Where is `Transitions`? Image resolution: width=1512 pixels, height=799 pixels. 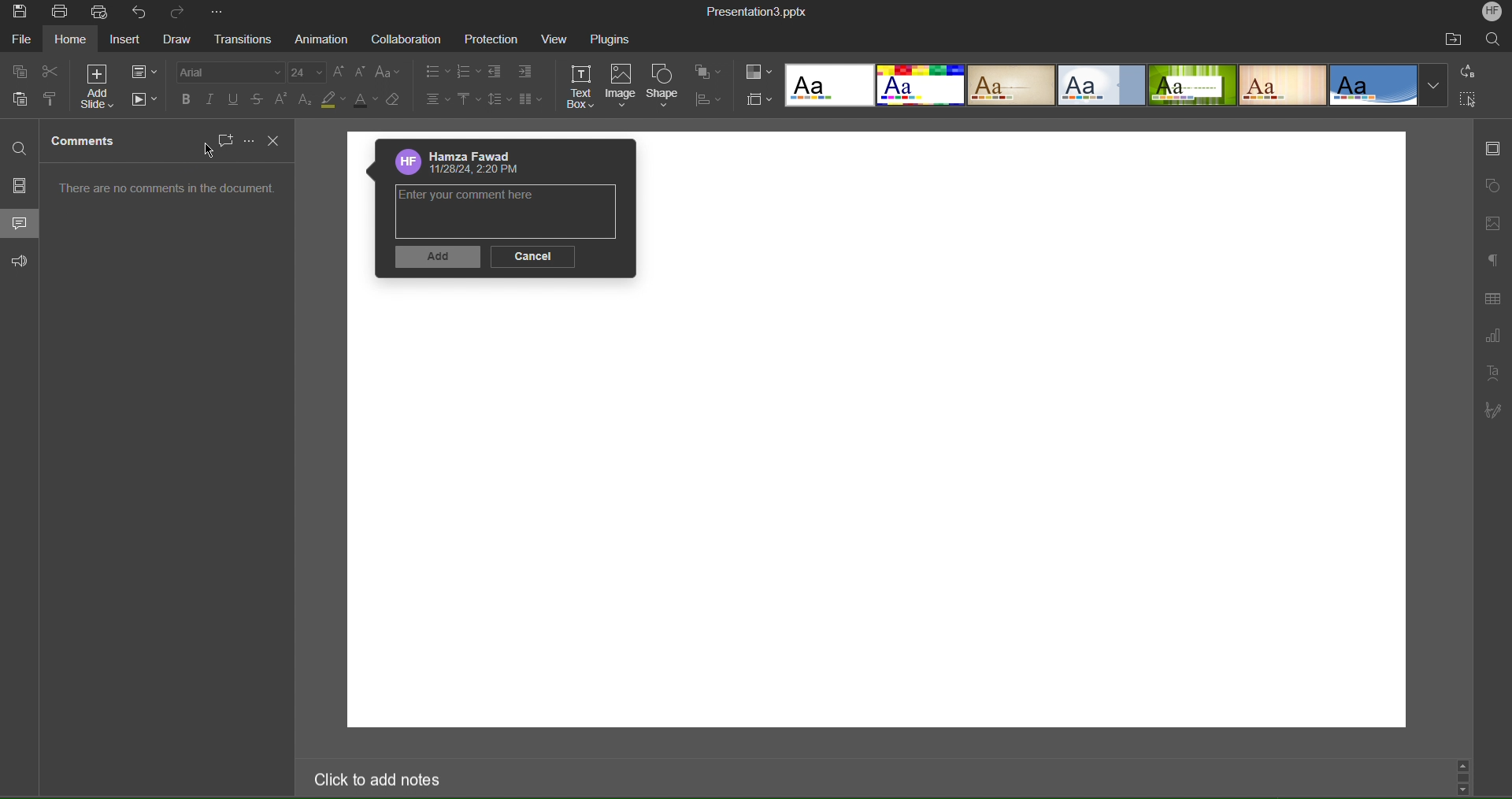
Transitions is located at coordinates (243, 39).